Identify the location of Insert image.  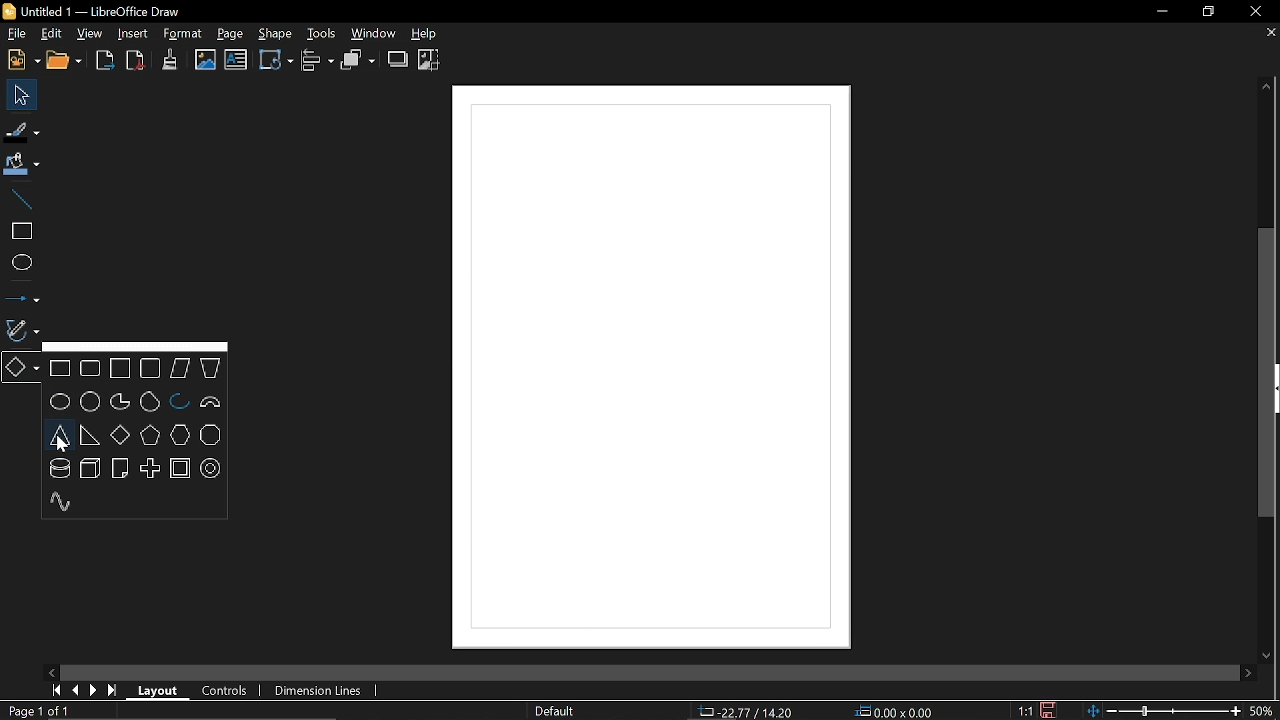
(206, 60).